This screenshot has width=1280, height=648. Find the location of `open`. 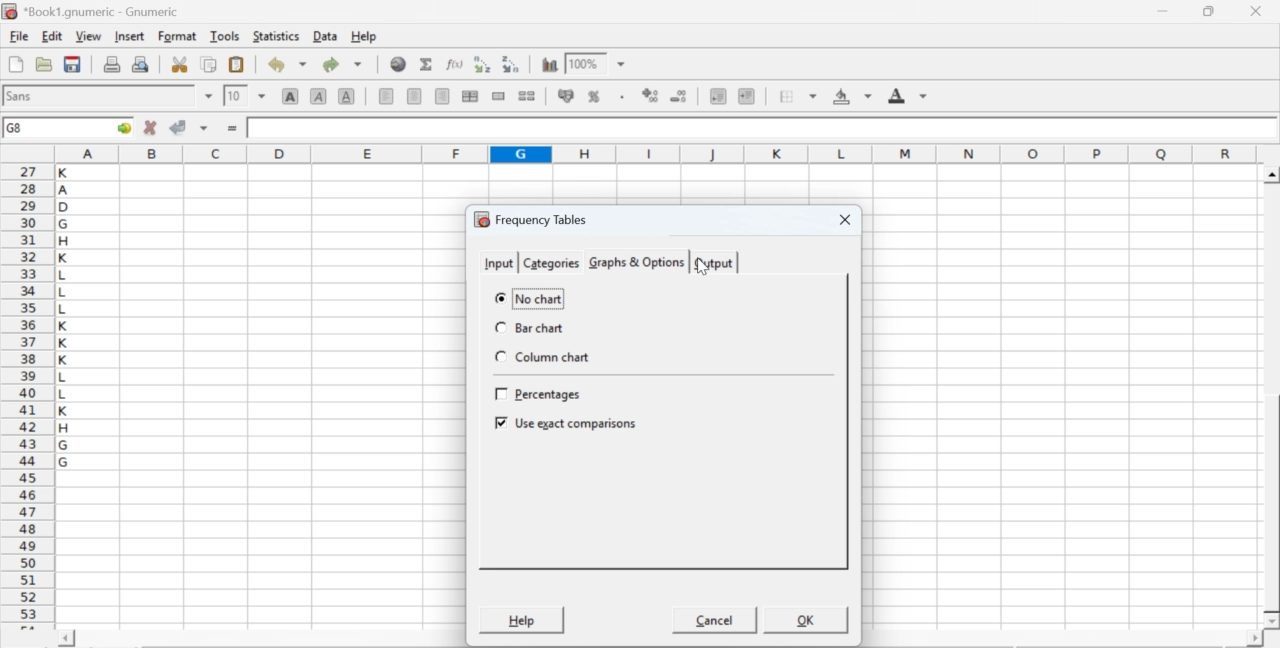

open is located at coordinates (42, 64).